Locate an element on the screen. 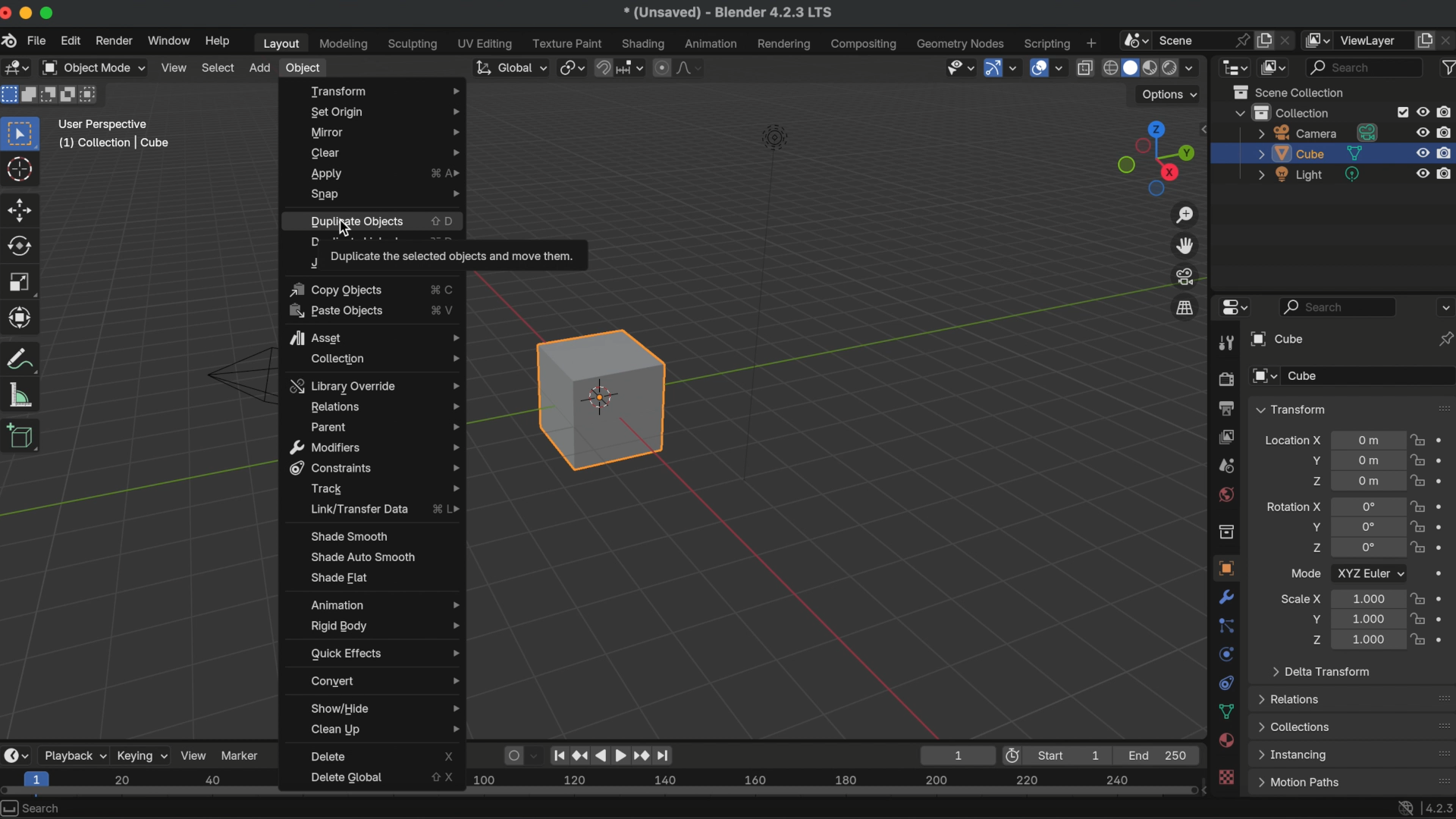 The height and width of the screenshot is (819, 1456). location X is located at coordinates (1292, 442).